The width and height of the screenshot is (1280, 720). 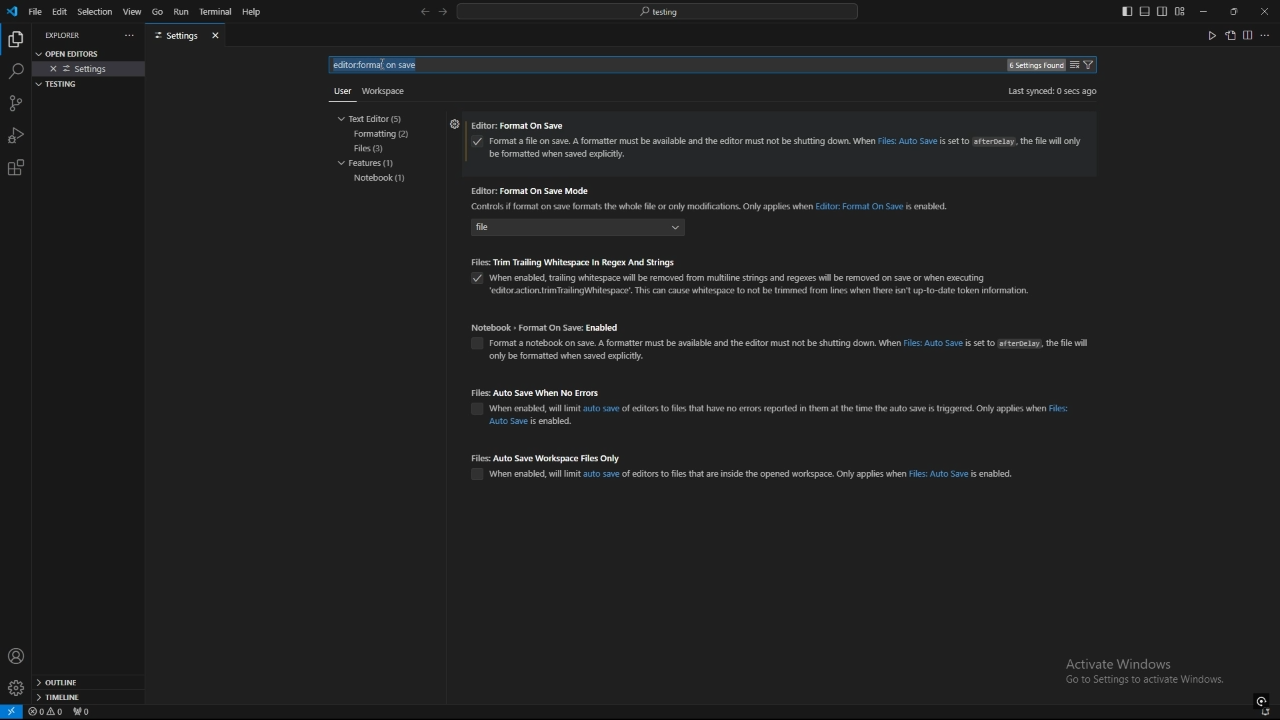 I want to click on profile, so click(x=16, y=656).